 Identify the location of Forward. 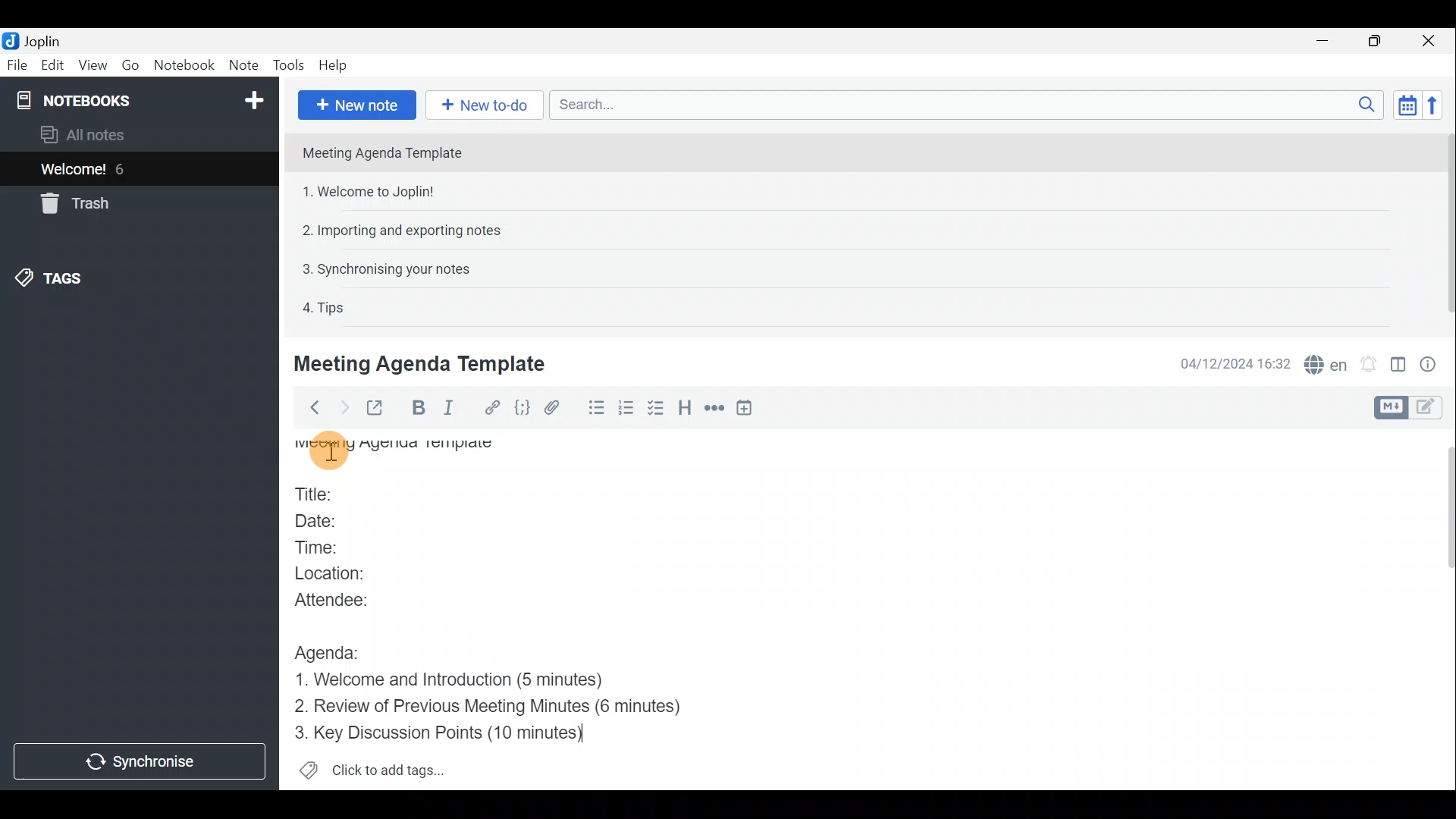
(342, 407).